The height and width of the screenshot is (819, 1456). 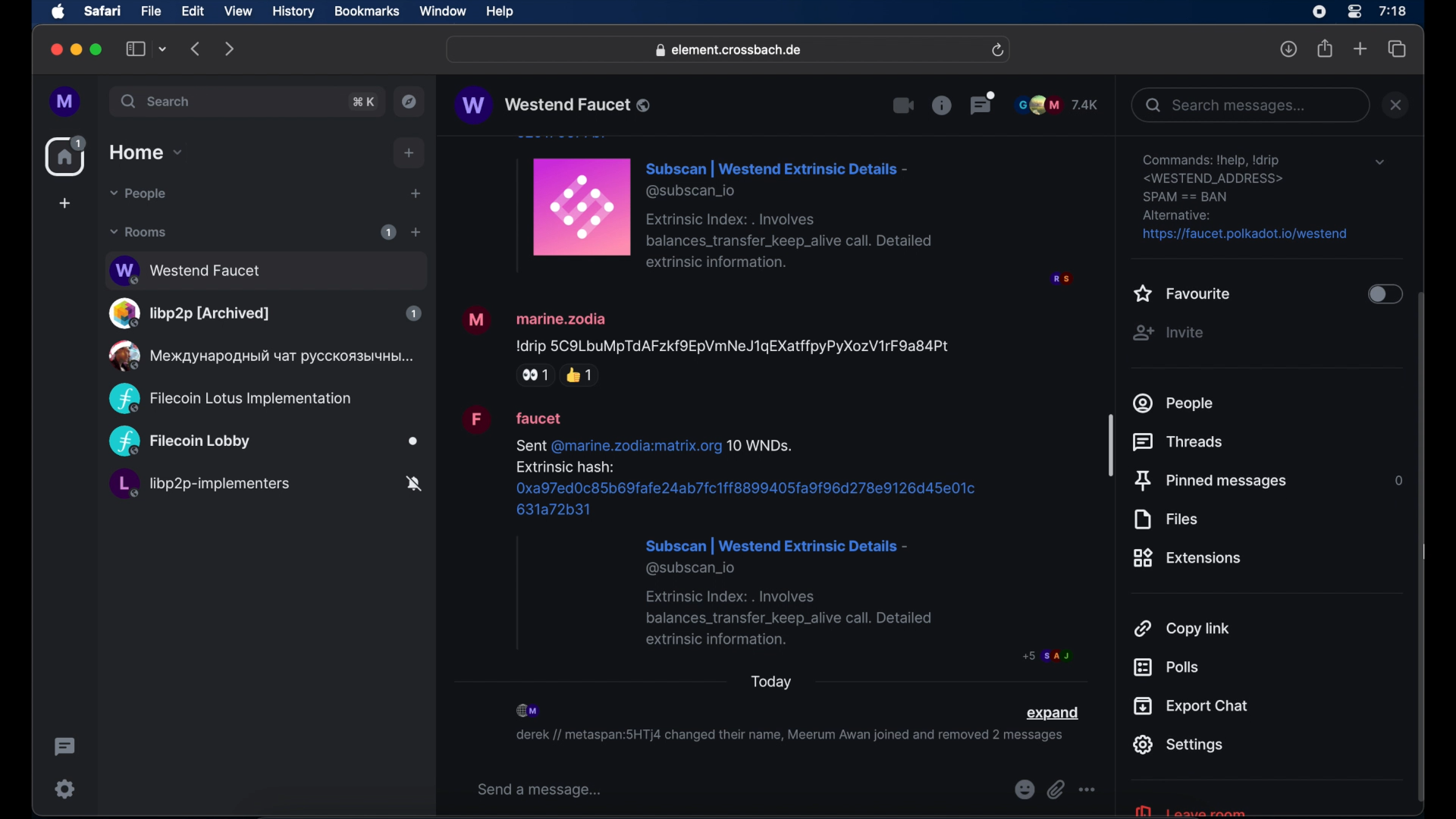 I want to click on , so click(x=140, y=194).